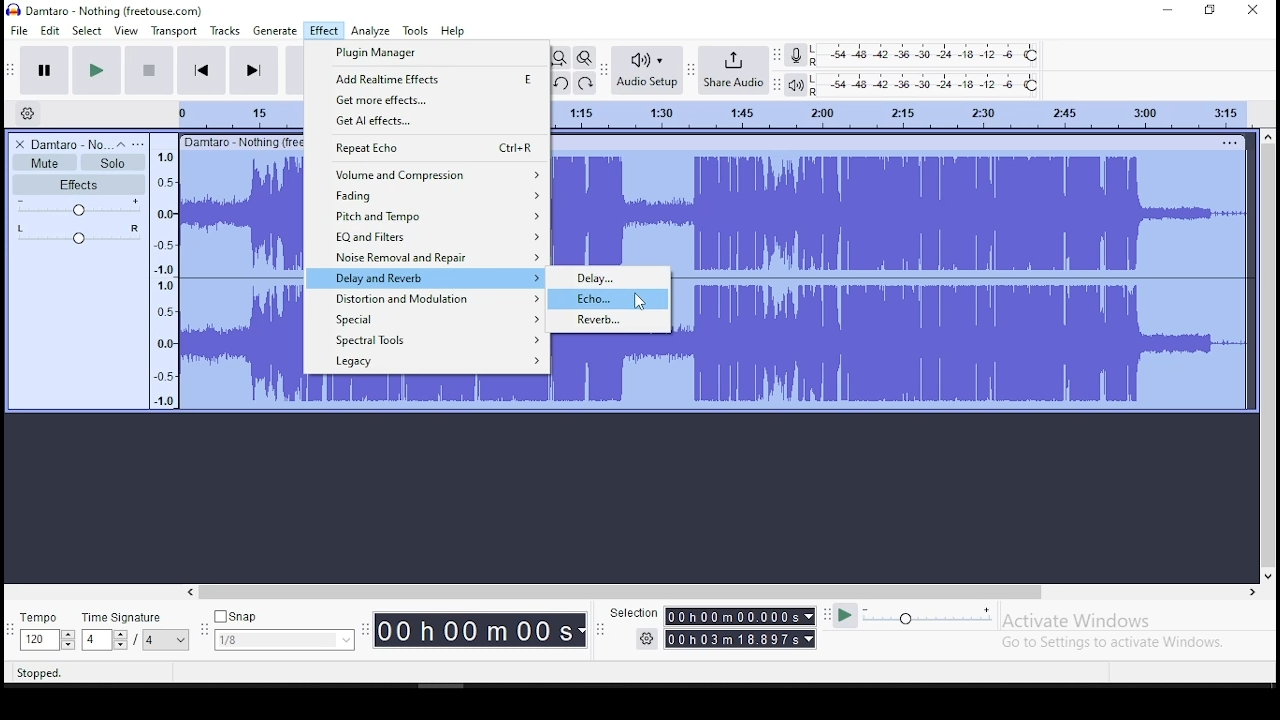 The image size is (1280, 720). What do you see at coordinates (632, 614) in the screenshot?
I see `‘Selection` at bounding box center [632, 614].